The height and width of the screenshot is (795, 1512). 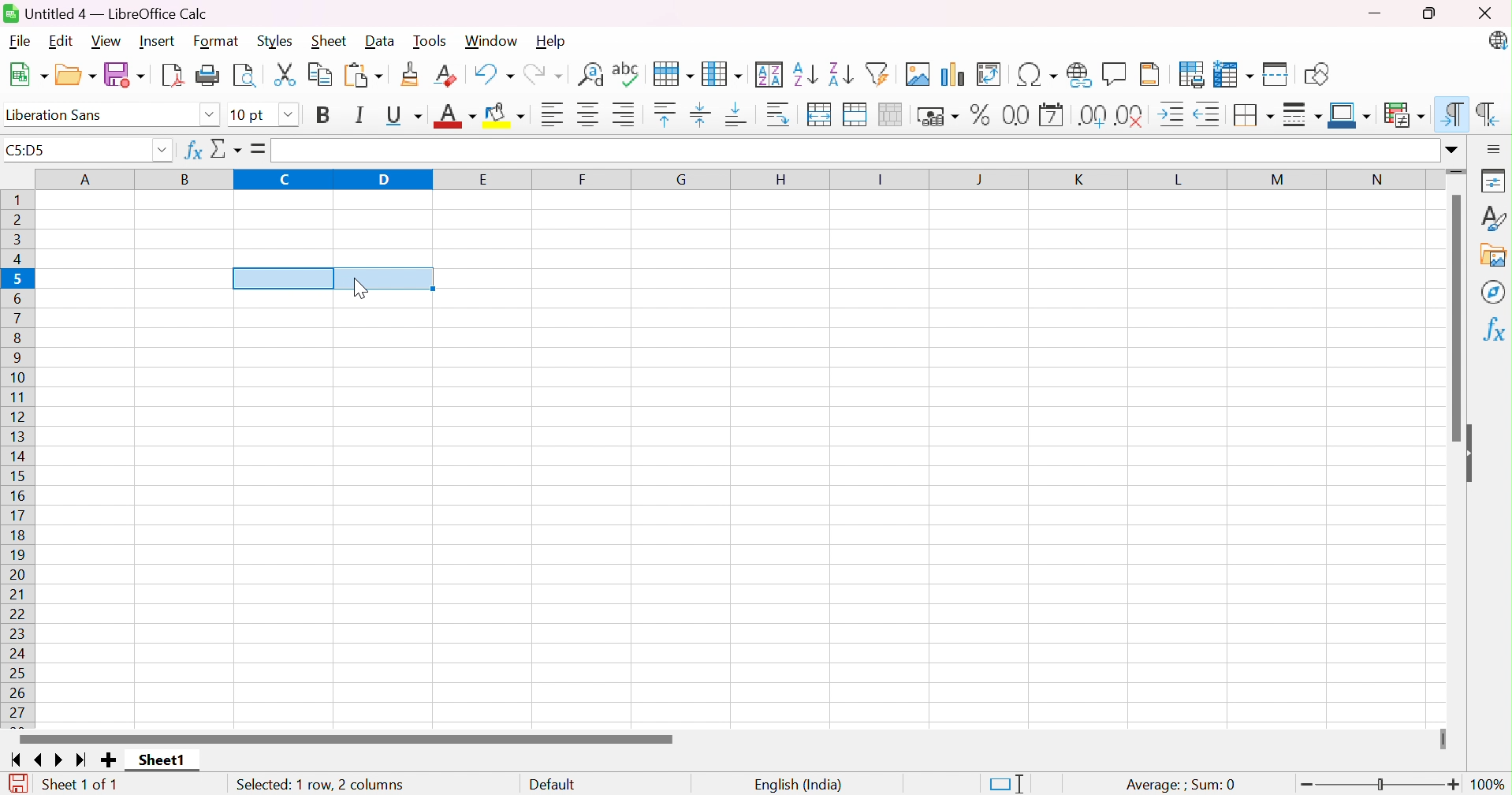 I want to click on Slider, so click(x=1458, y=172).